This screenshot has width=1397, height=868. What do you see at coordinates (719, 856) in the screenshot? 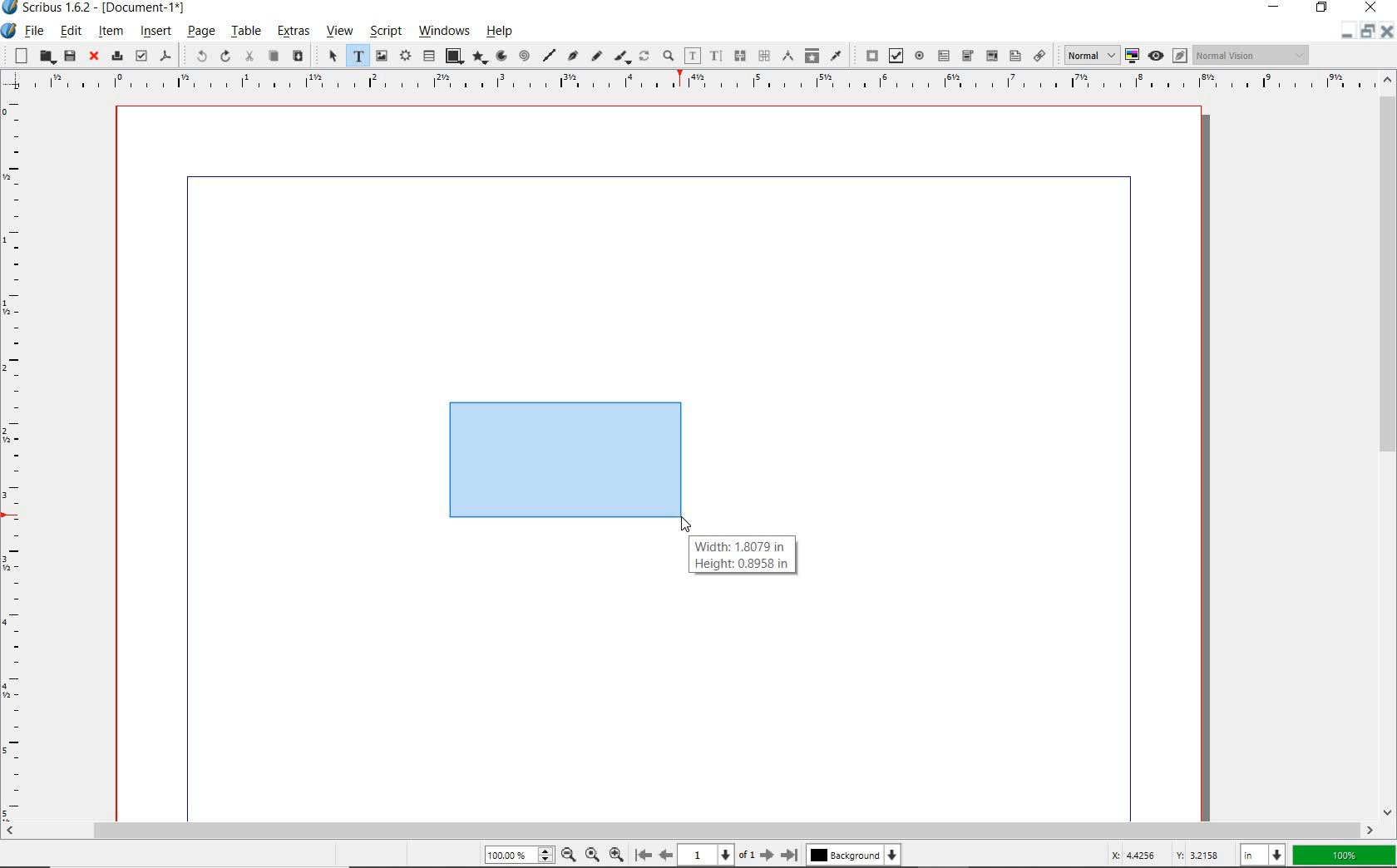
I see `1 of 1` at bounding box center [719, 856].